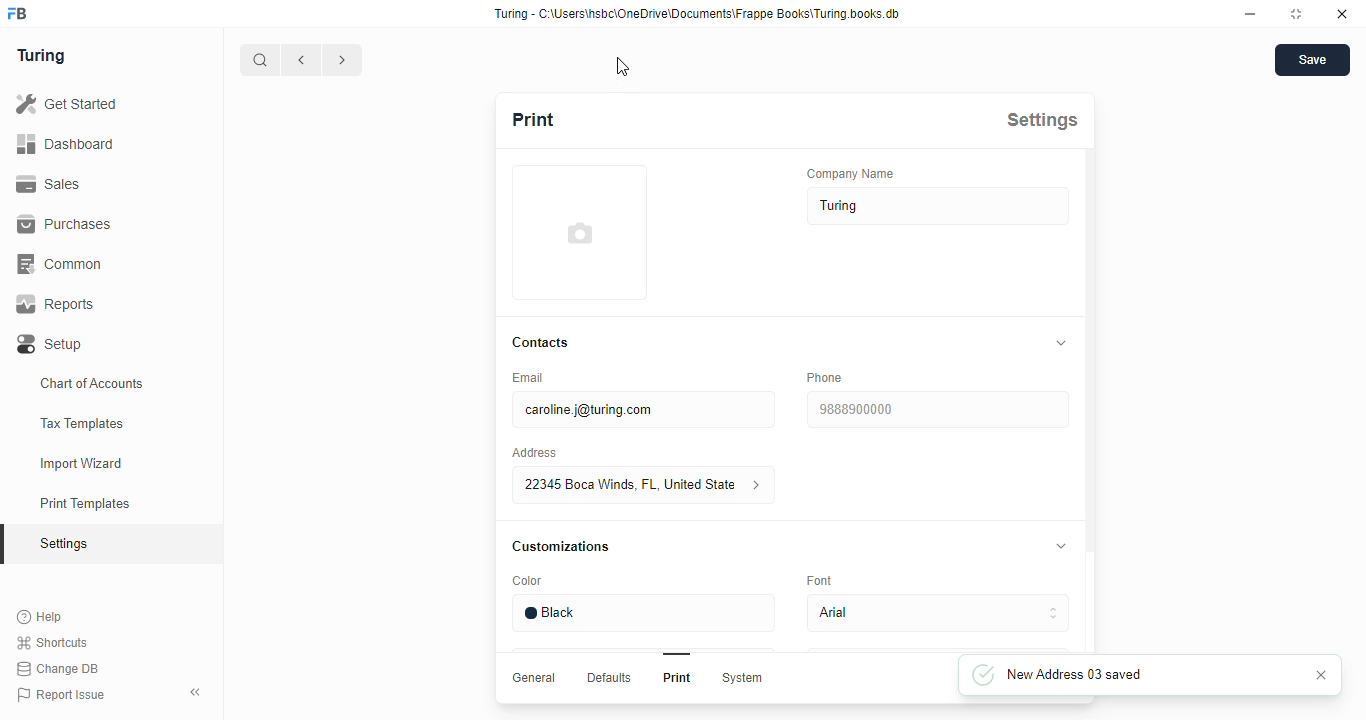 Image resolution: width=1366 pixels, height=720 pixels. I want to click on toggle maximize, so click(1295, 13).